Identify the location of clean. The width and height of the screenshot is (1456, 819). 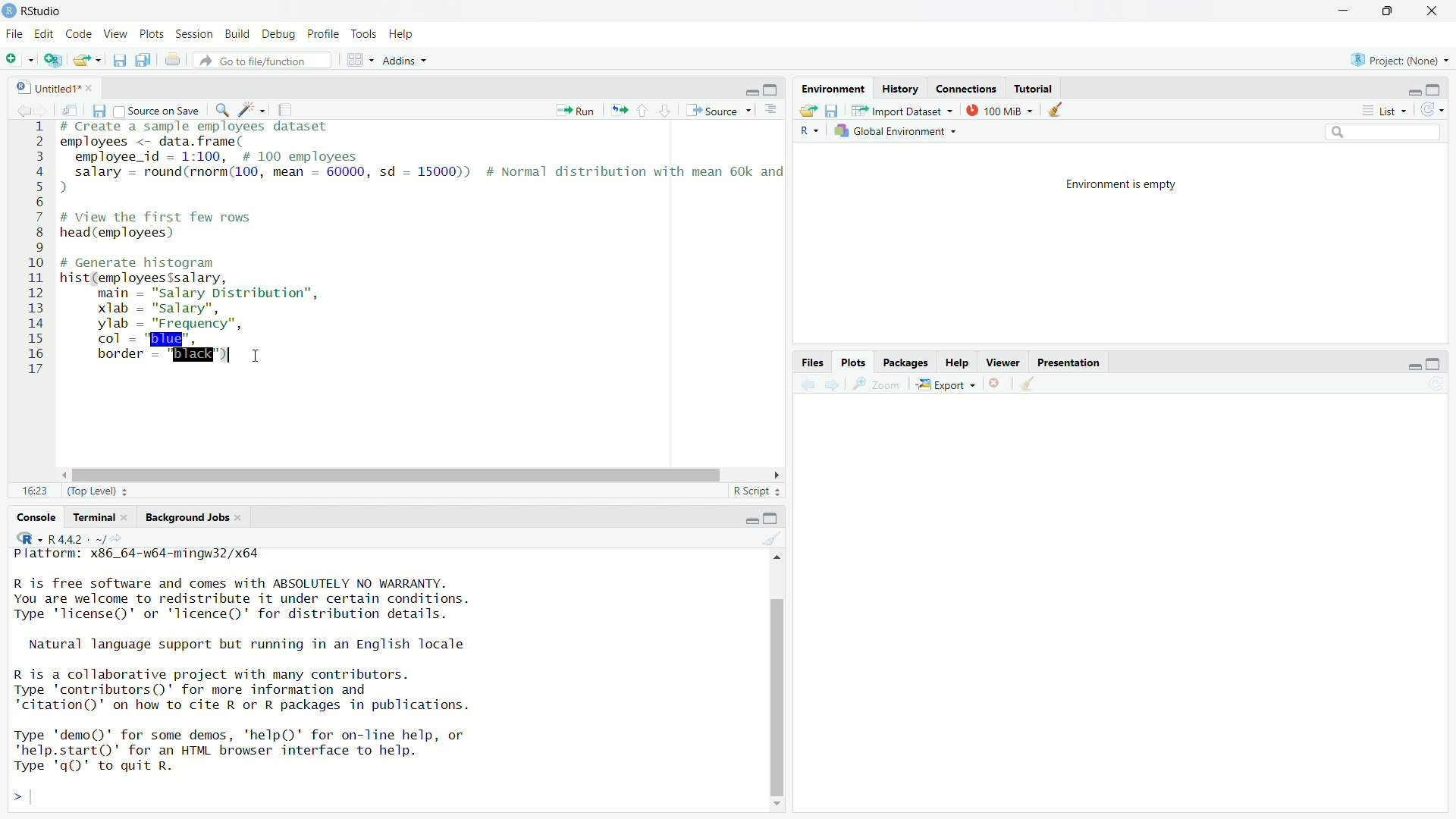
(1031, 384).